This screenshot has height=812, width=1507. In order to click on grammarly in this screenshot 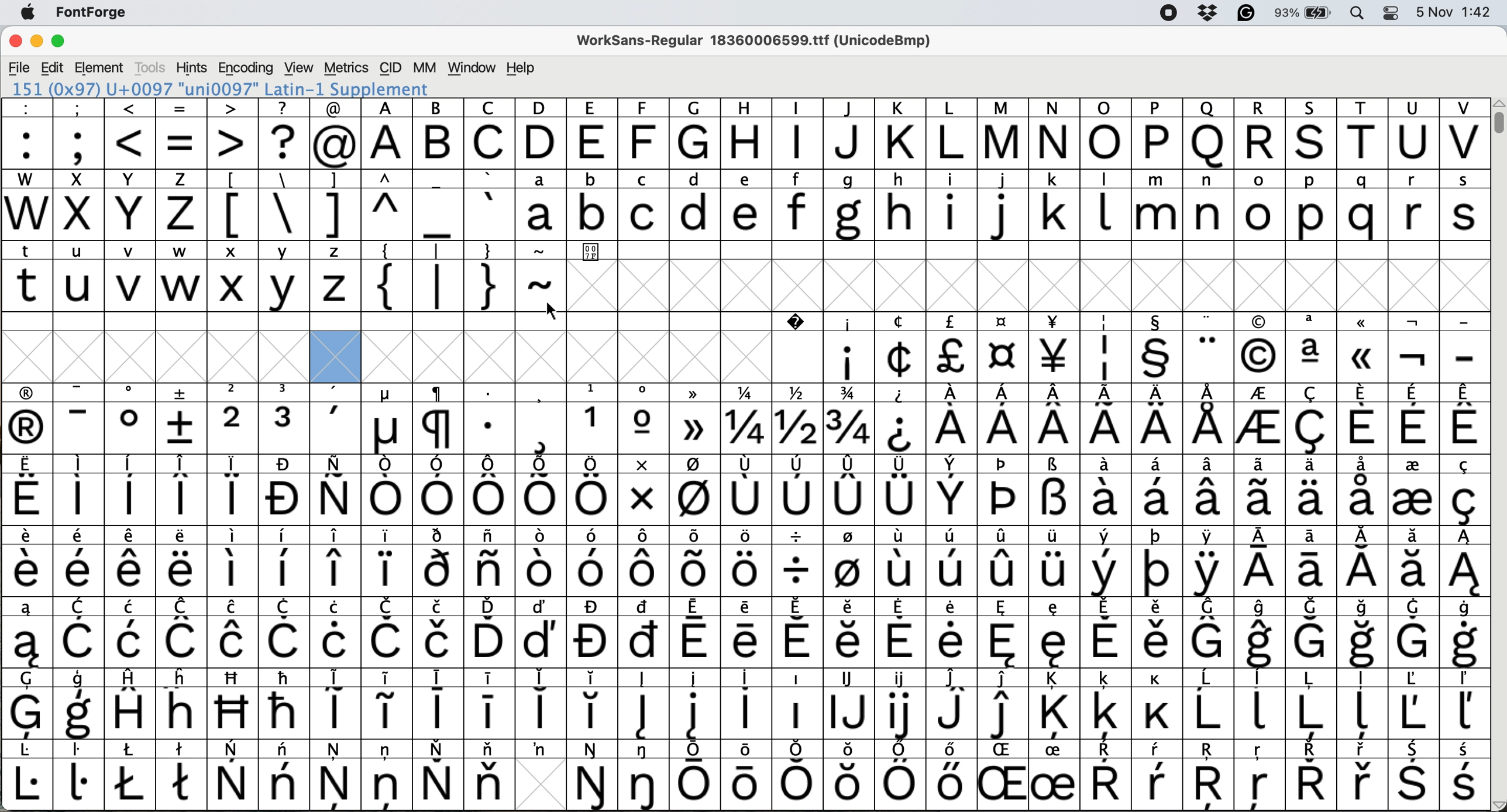, I will do `click(1245, 15)`.